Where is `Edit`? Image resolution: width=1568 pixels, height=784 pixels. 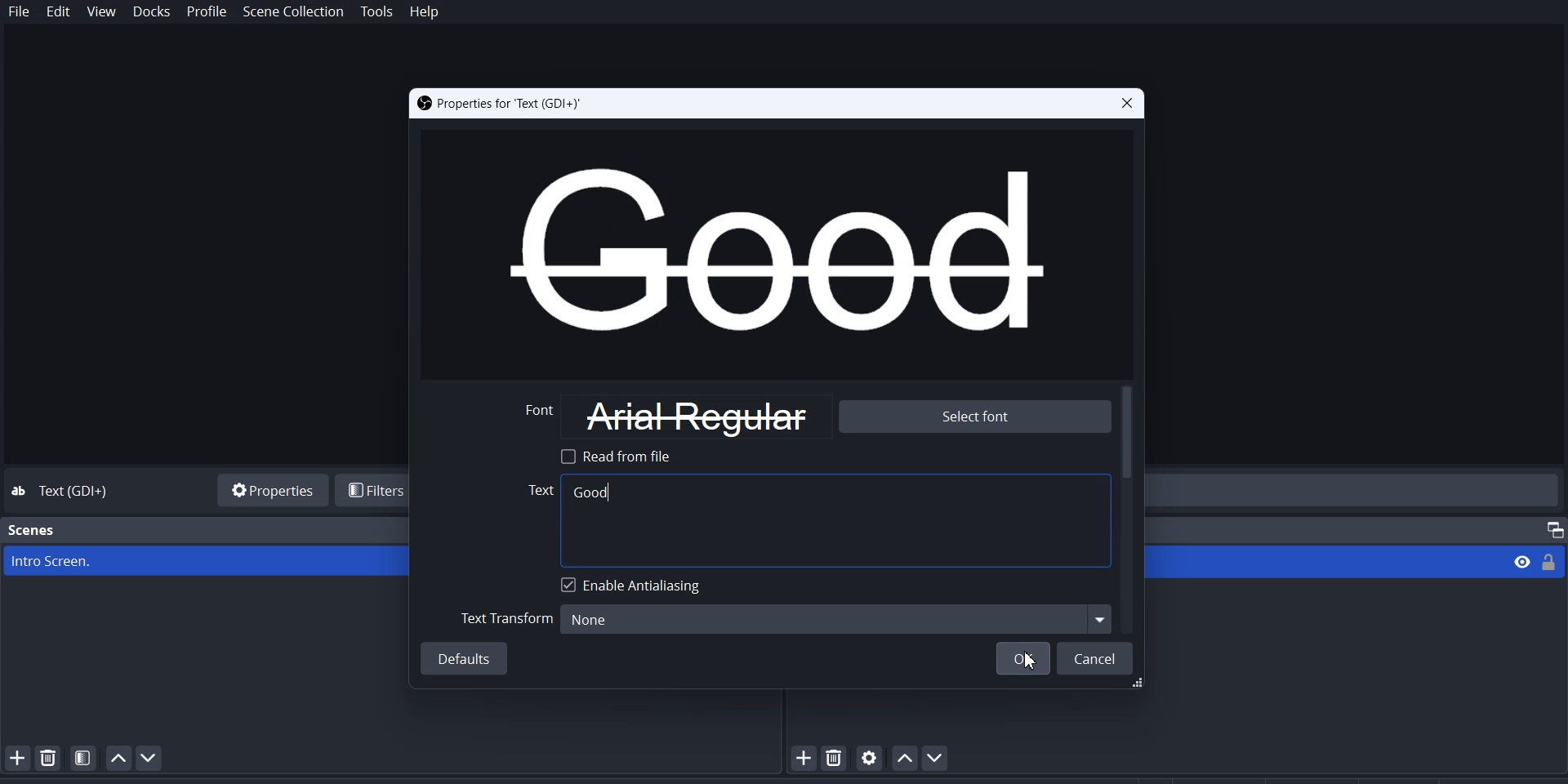 Edit is located at coordinates (59, 13).